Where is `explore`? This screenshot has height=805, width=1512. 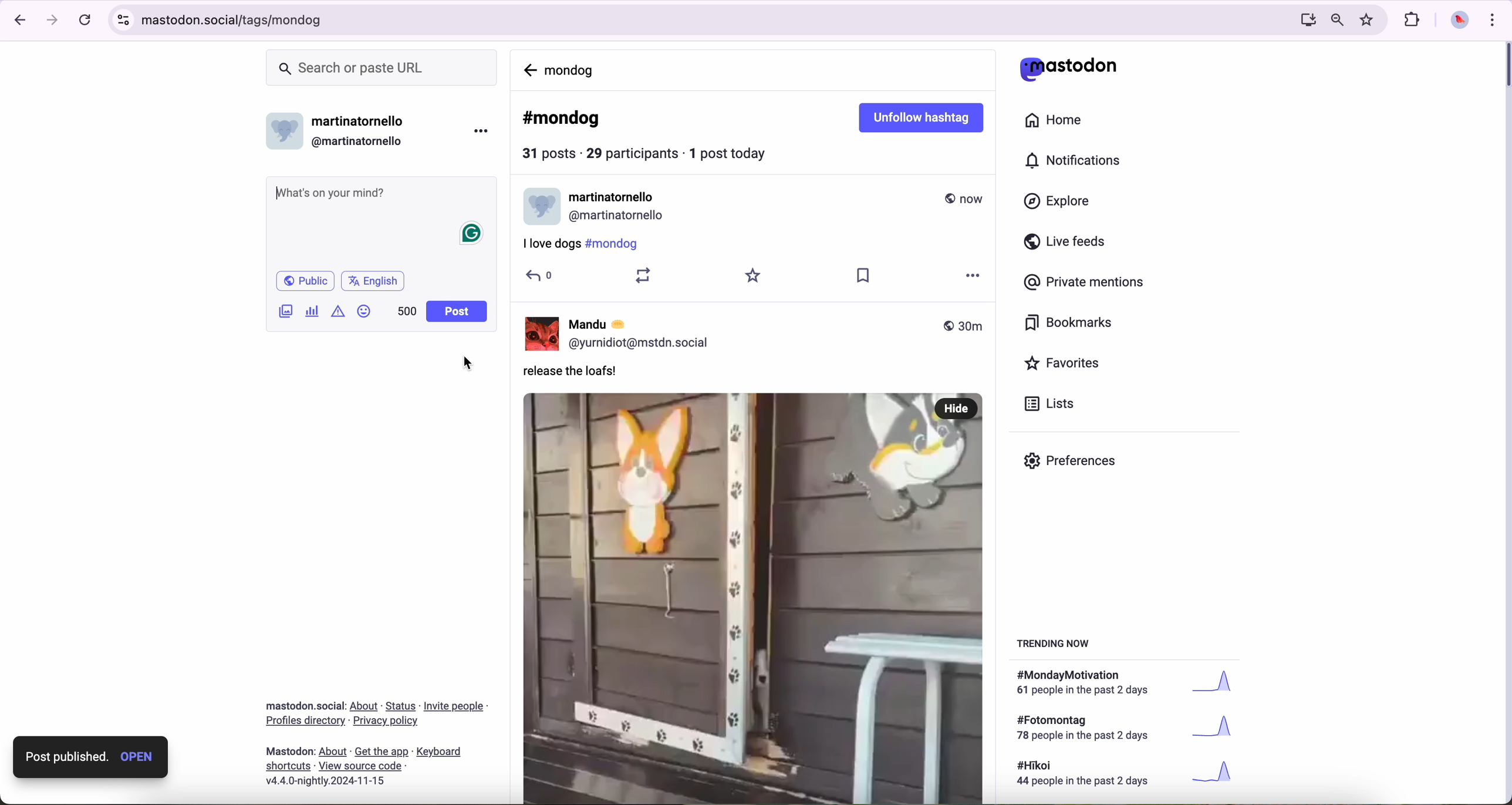
explore is located at coordinates (1059, 202).